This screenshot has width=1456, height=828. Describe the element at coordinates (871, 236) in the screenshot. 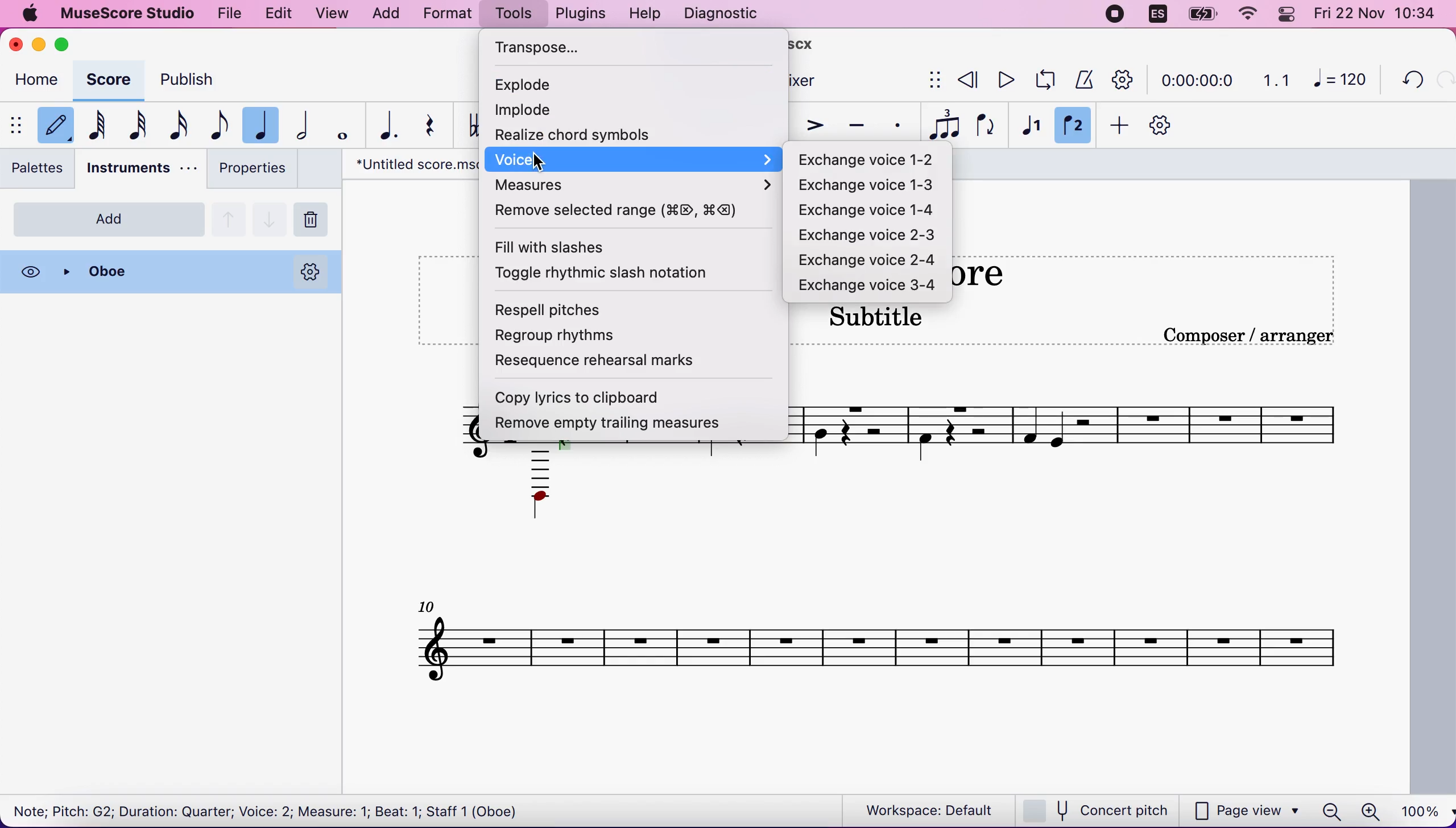

I see `exchange voice 2-3` at that location.